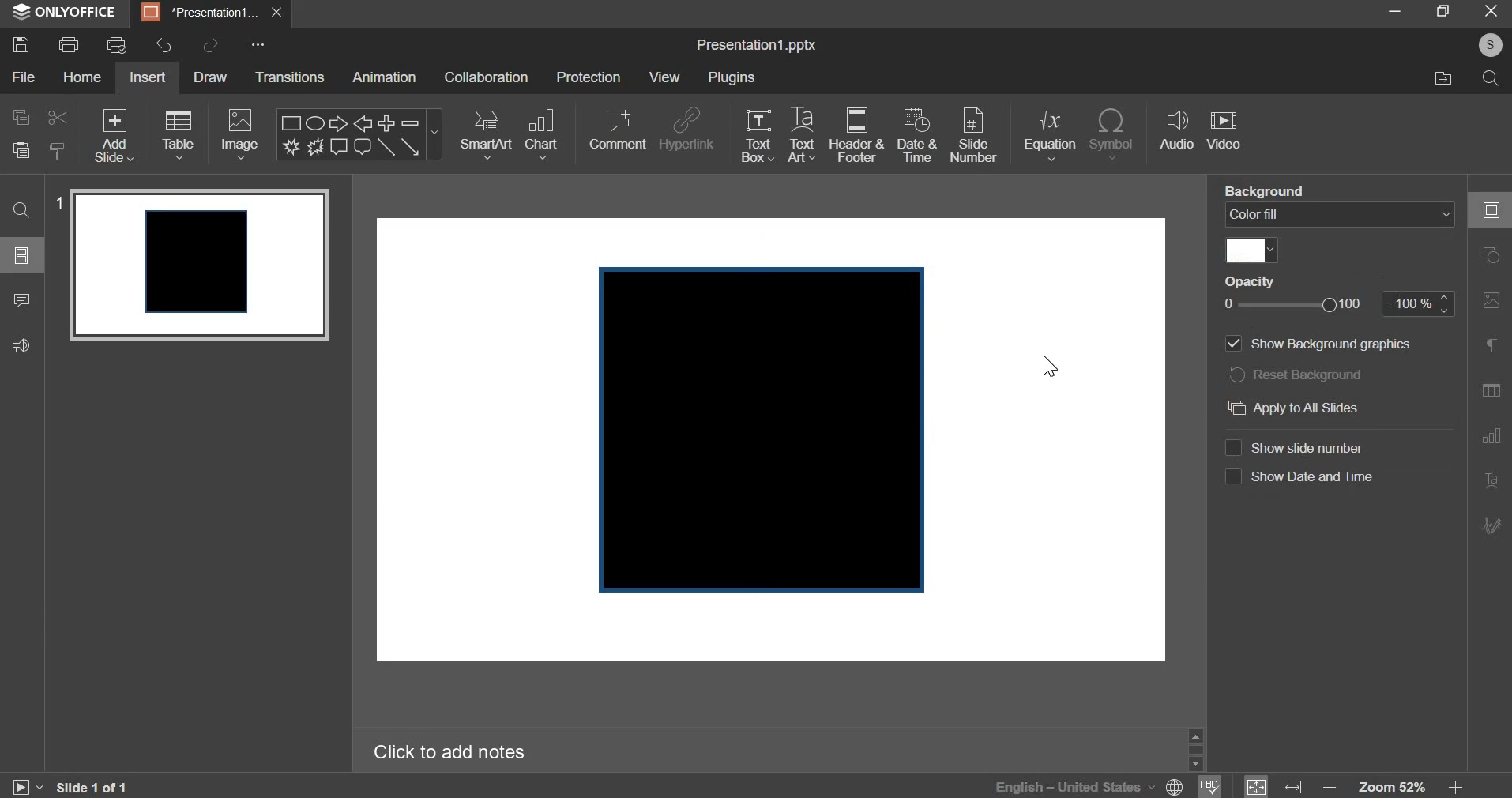 This screenshot has height=798, width=1512. What do you see at coordinates (1444, 77) in the screenshot?
I see `file location` at bounding box center [1444, 77].